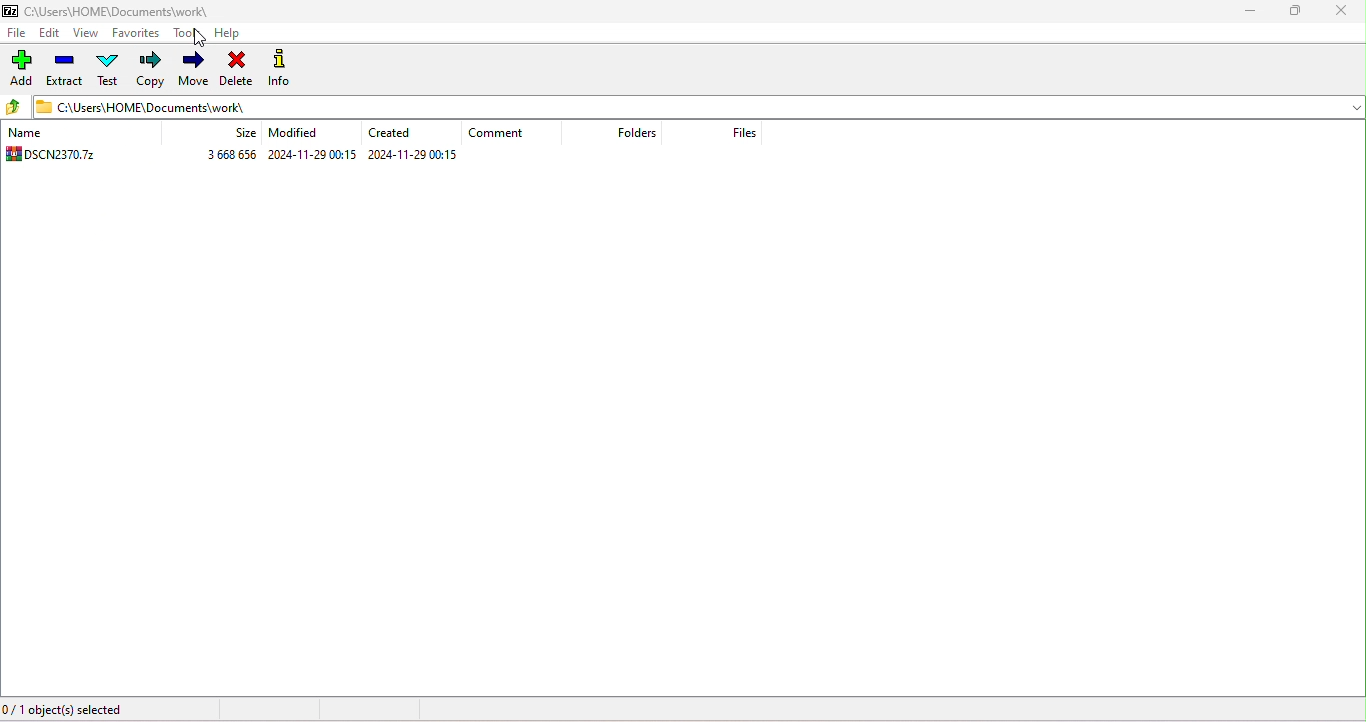 The height and width of the screenshot is (722, 1366). Describe the element at coordinates (55, 159) in the screenshot. I see `DSCN2370.7z` at that location.